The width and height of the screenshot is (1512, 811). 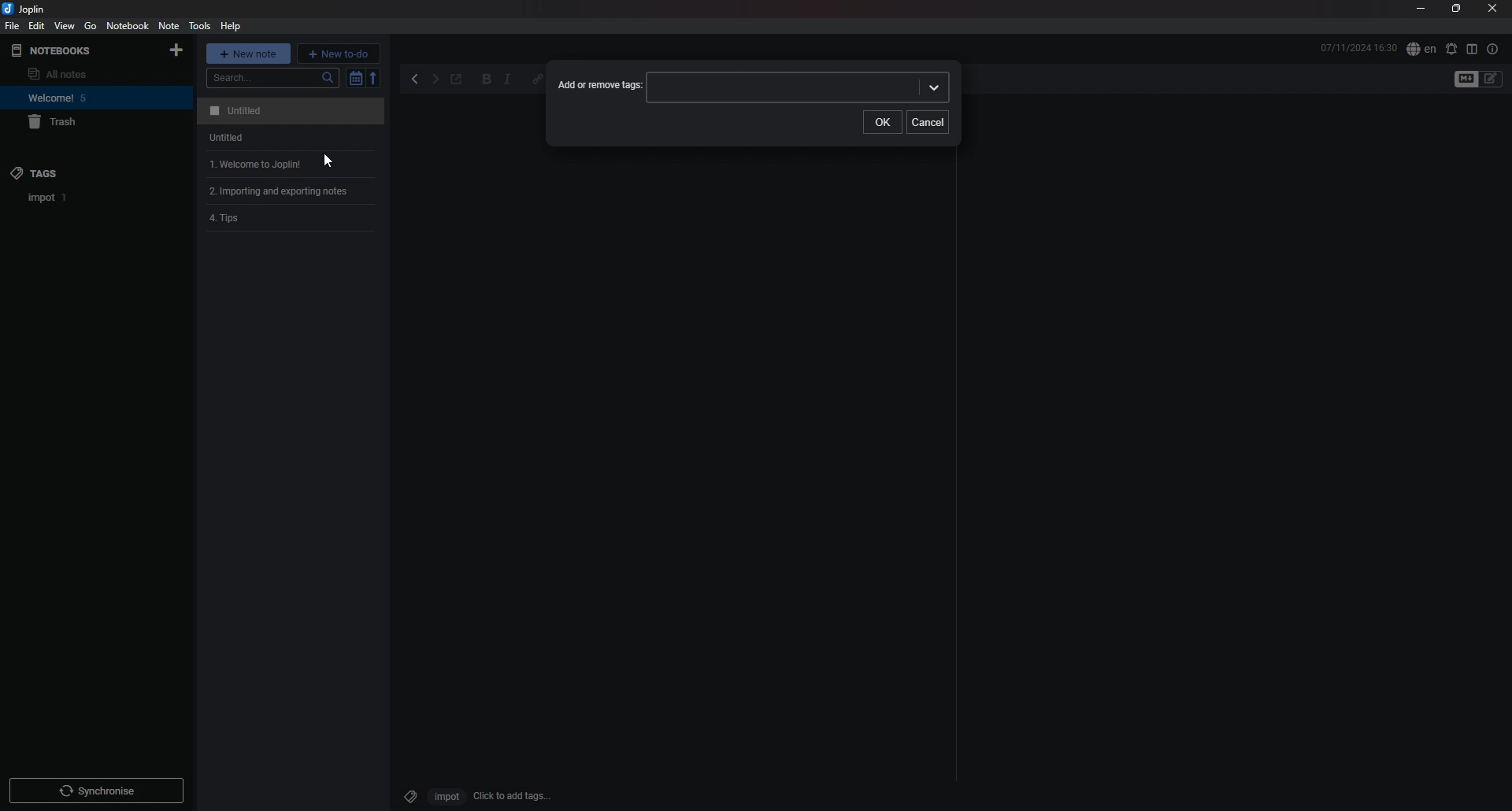 I want to click on note properties, so click(x=1492, y=49).